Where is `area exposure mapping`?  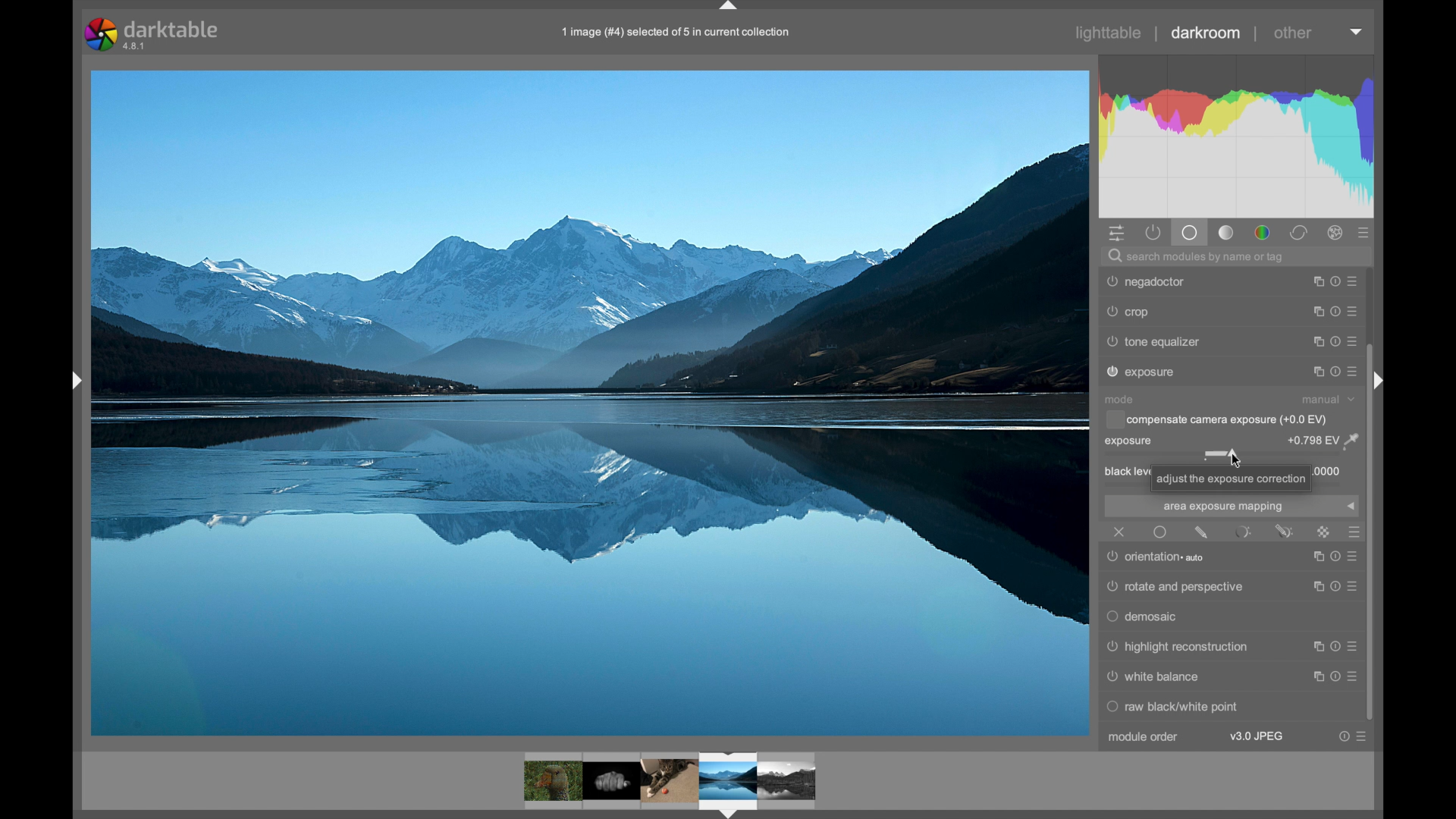
area exposure mapping is located at coordinates (1222, 507).